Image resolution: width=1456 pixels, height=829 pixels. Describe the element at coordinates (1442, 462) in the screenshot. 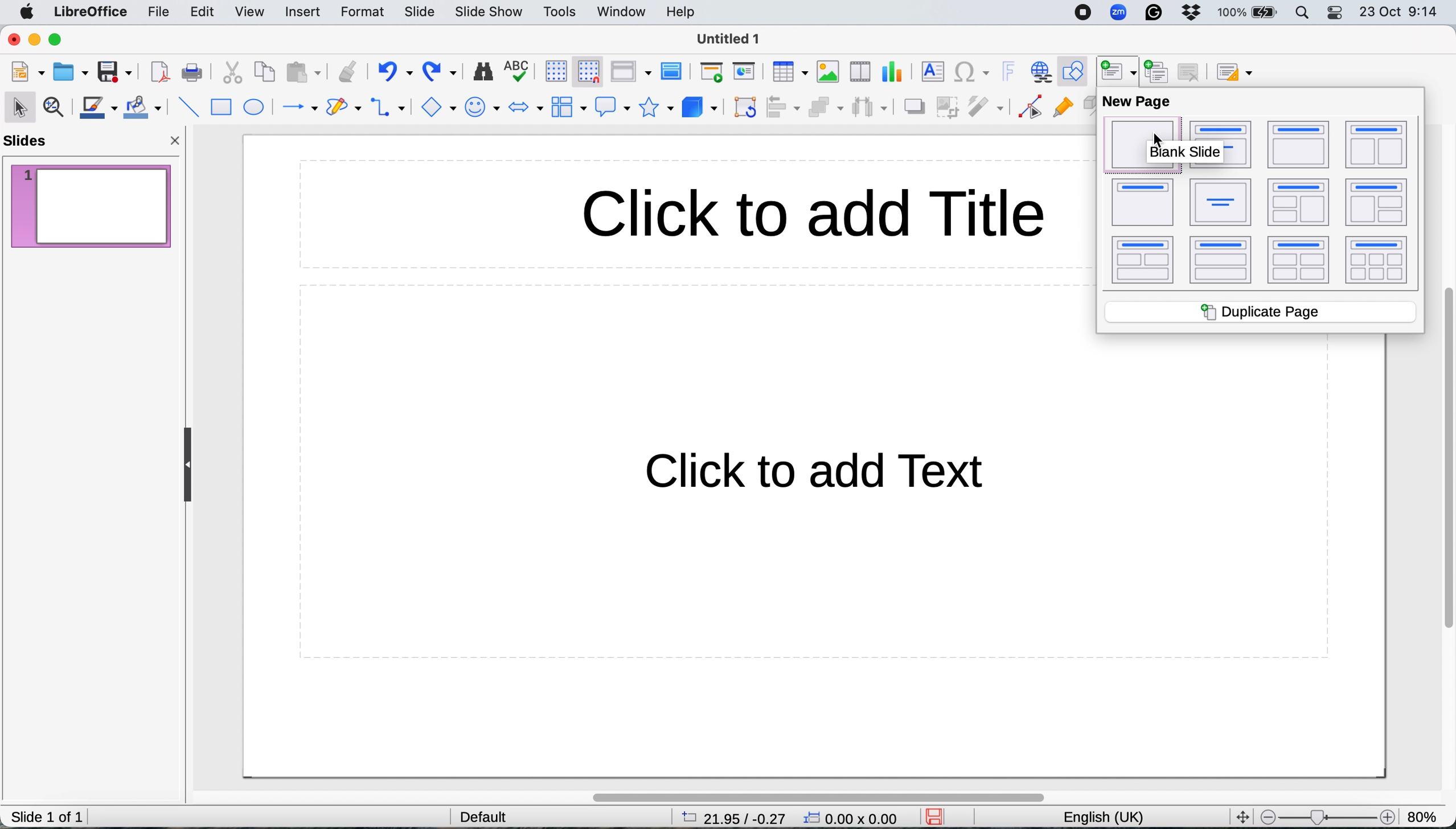

I see `vertical scroll bar` at that location.